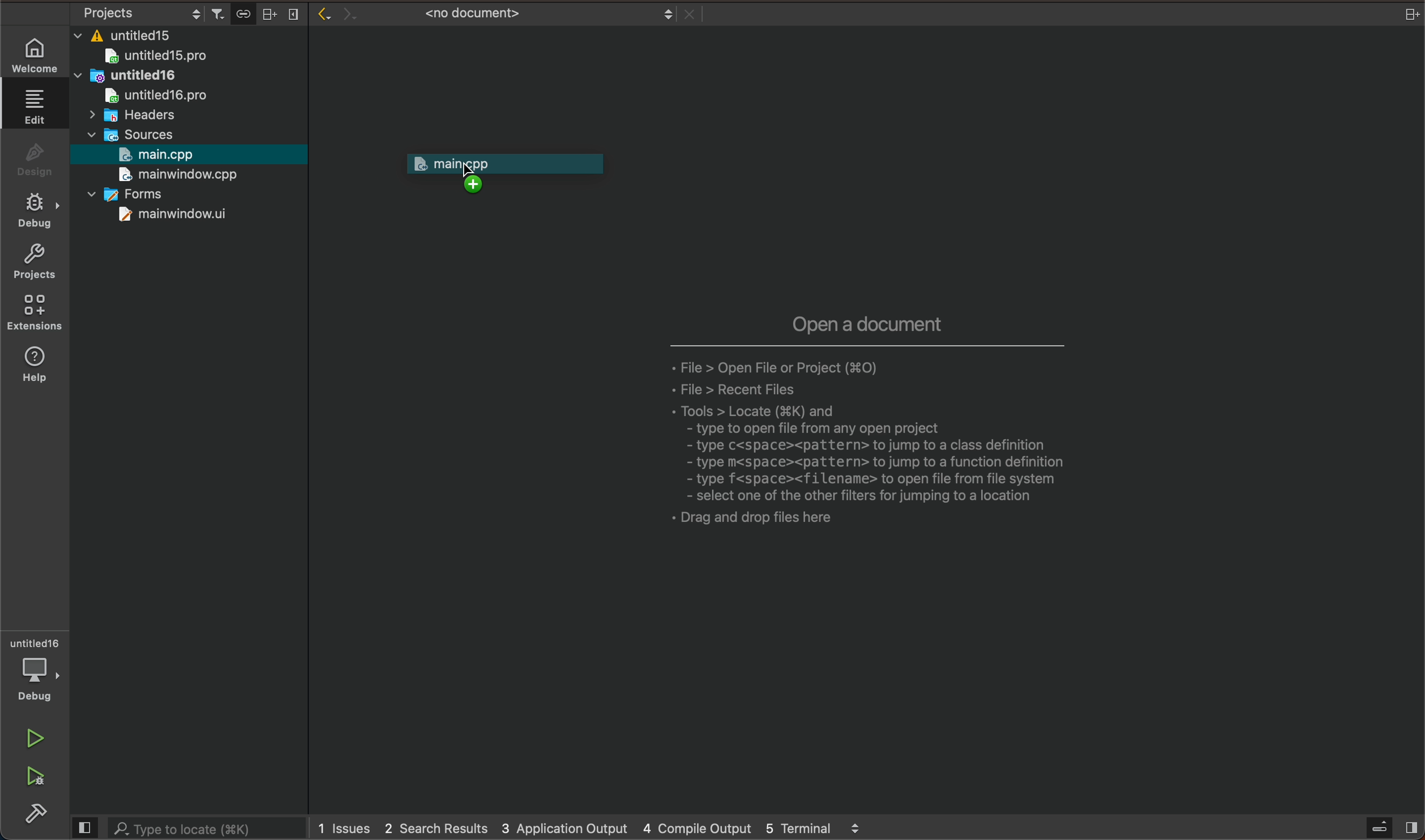 This screenshot has height=840, width=1425. I want to click on search, so click(187, 829).